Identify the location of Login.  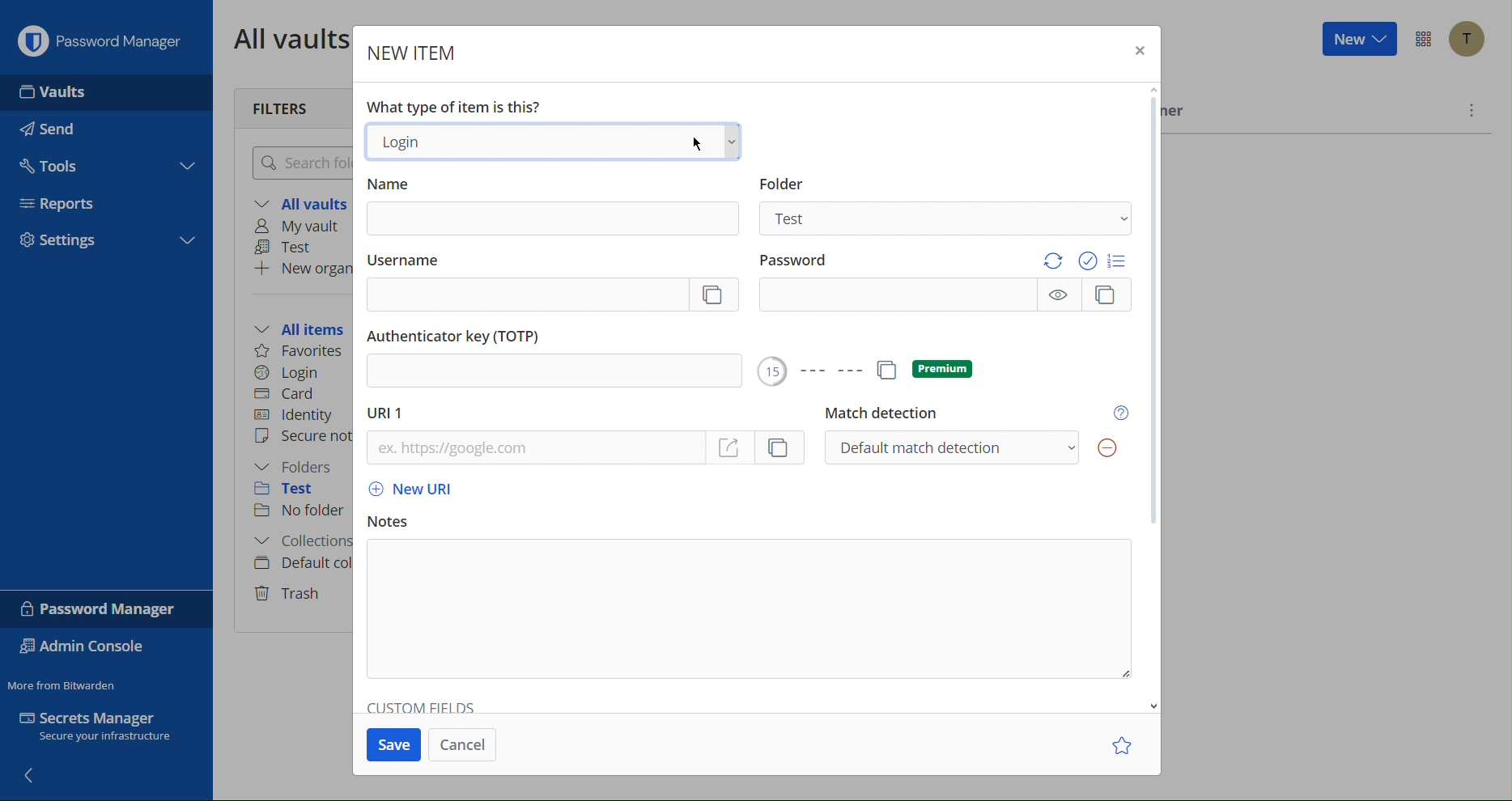
(554, 142).